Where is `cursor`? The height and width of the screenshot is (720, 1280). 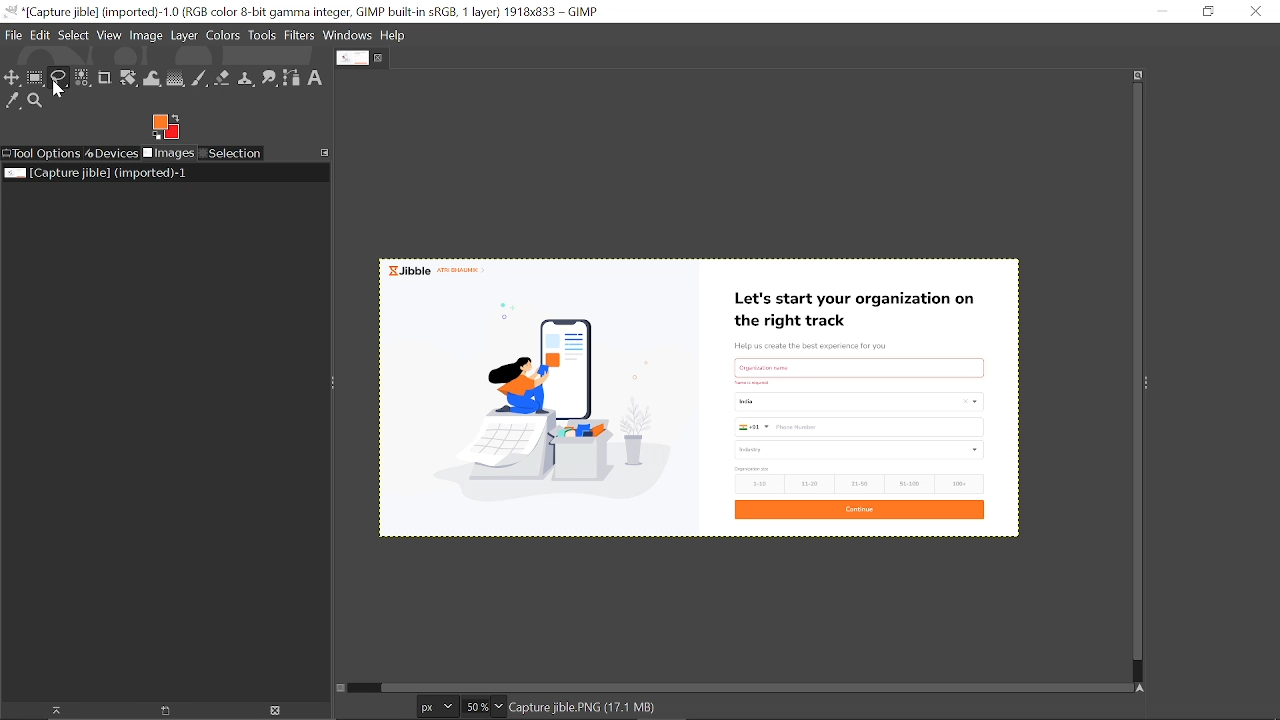 cursor is located at coordinates (59, 90).